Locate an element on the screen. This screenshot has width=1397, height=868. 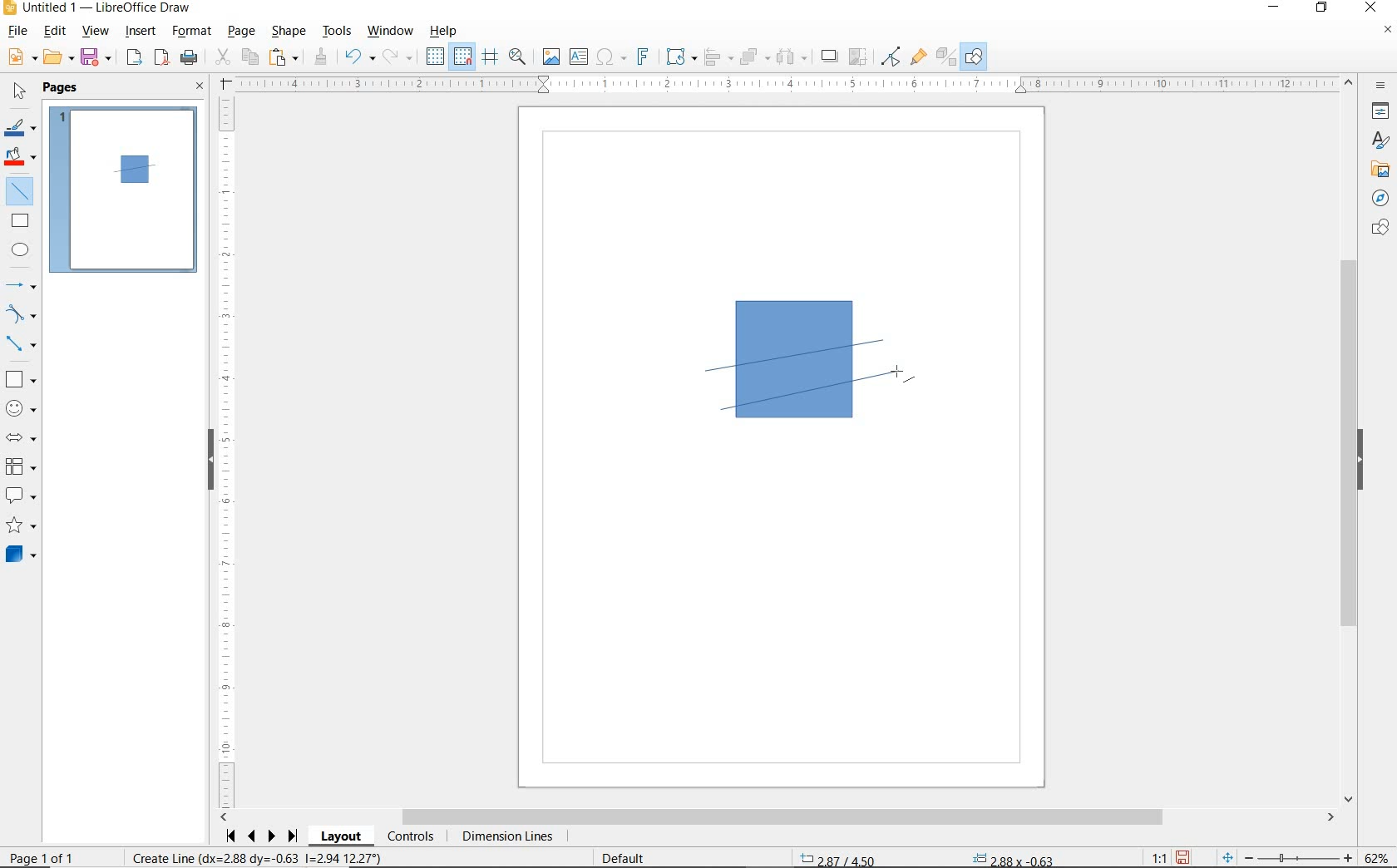
ELLIPSE is located at coordinates (22, 249).